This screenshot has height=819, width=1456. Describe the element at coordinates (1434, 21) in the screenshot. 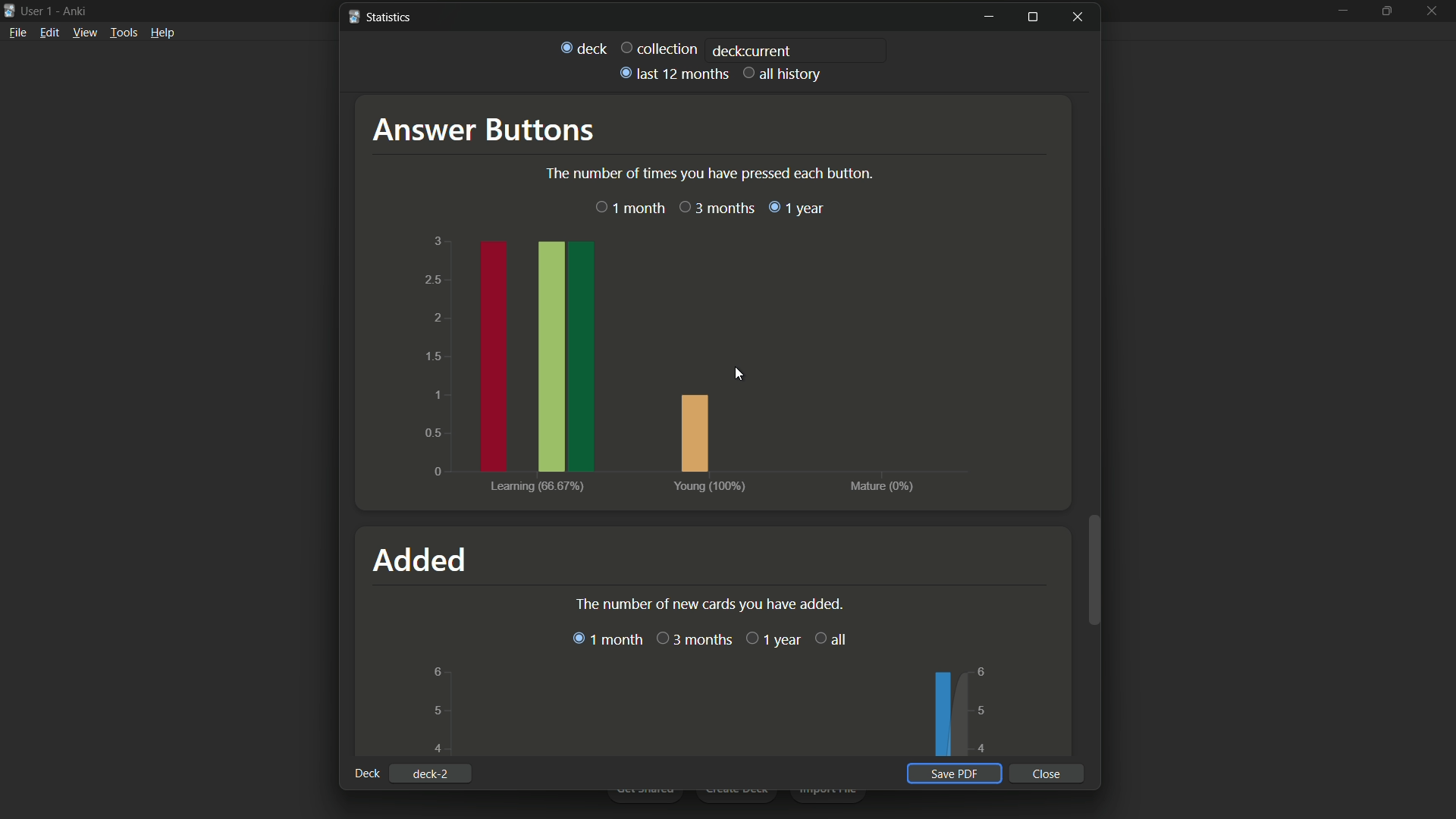

I see `Close app` at that location.